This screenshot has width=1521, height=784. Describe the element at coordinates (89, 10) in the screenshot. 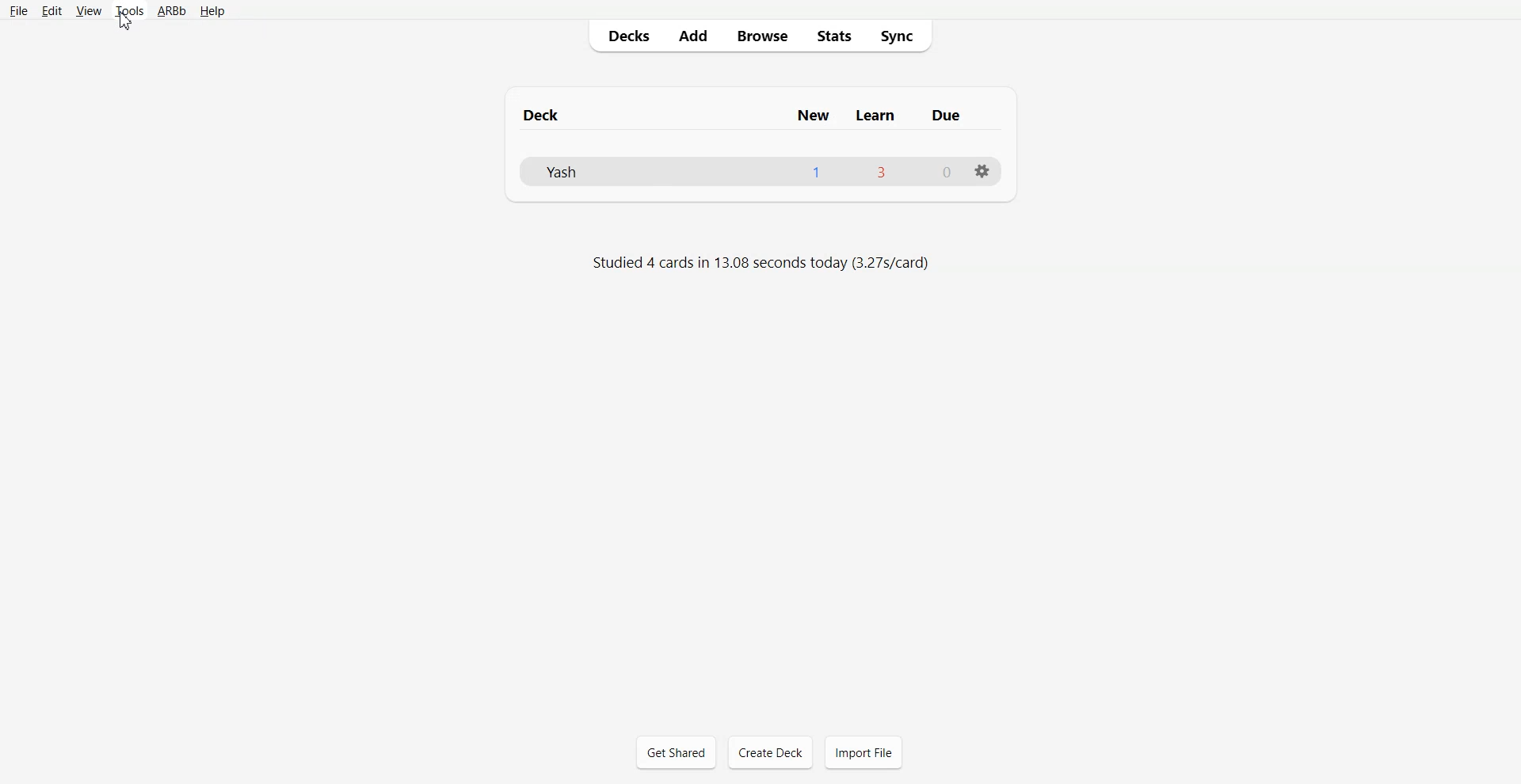

I see `View` at that location.